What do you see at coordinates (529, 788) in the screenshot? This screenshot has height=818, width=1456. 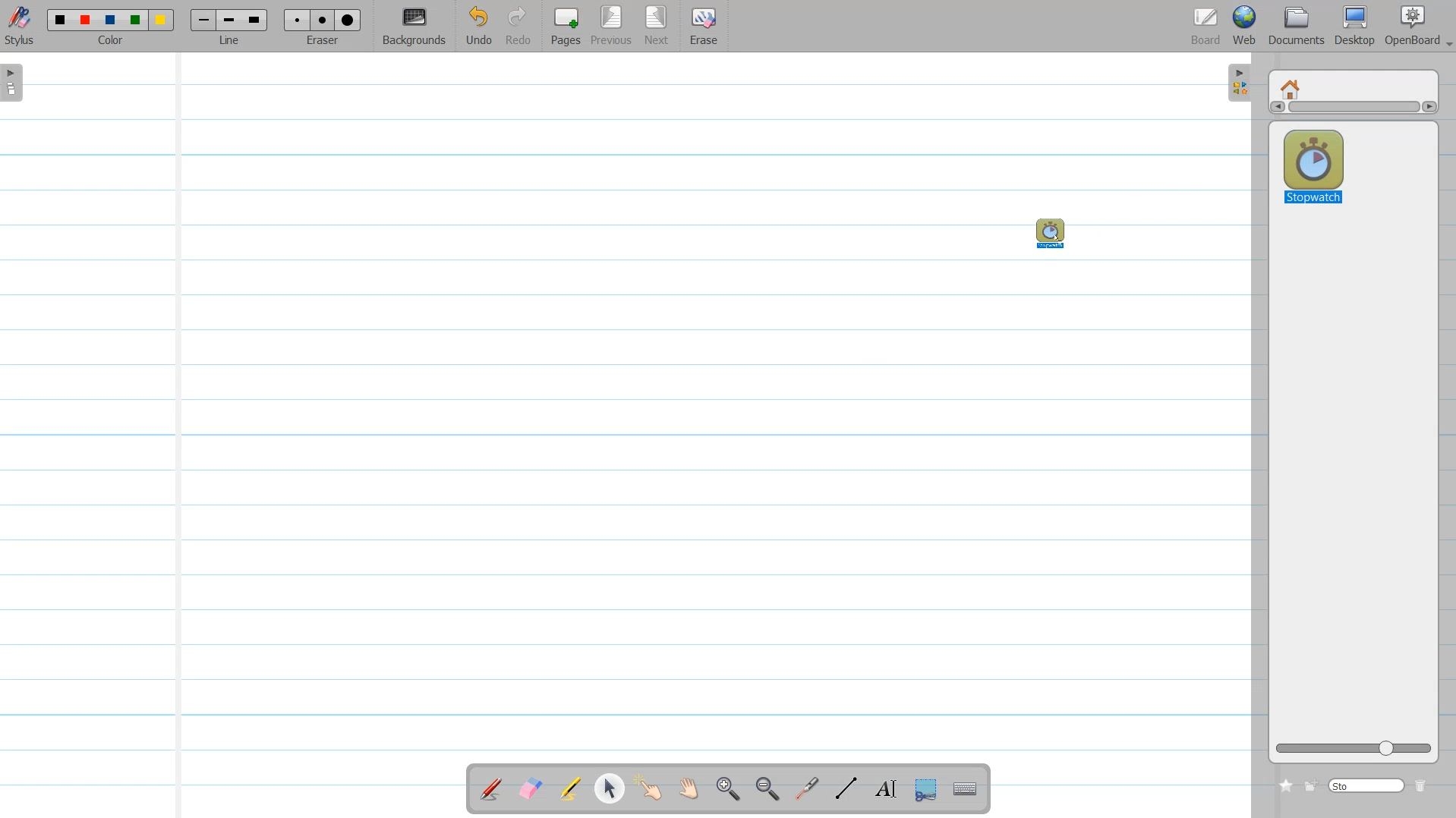 I see `Erase annotation` at bounding box center [529, 788].